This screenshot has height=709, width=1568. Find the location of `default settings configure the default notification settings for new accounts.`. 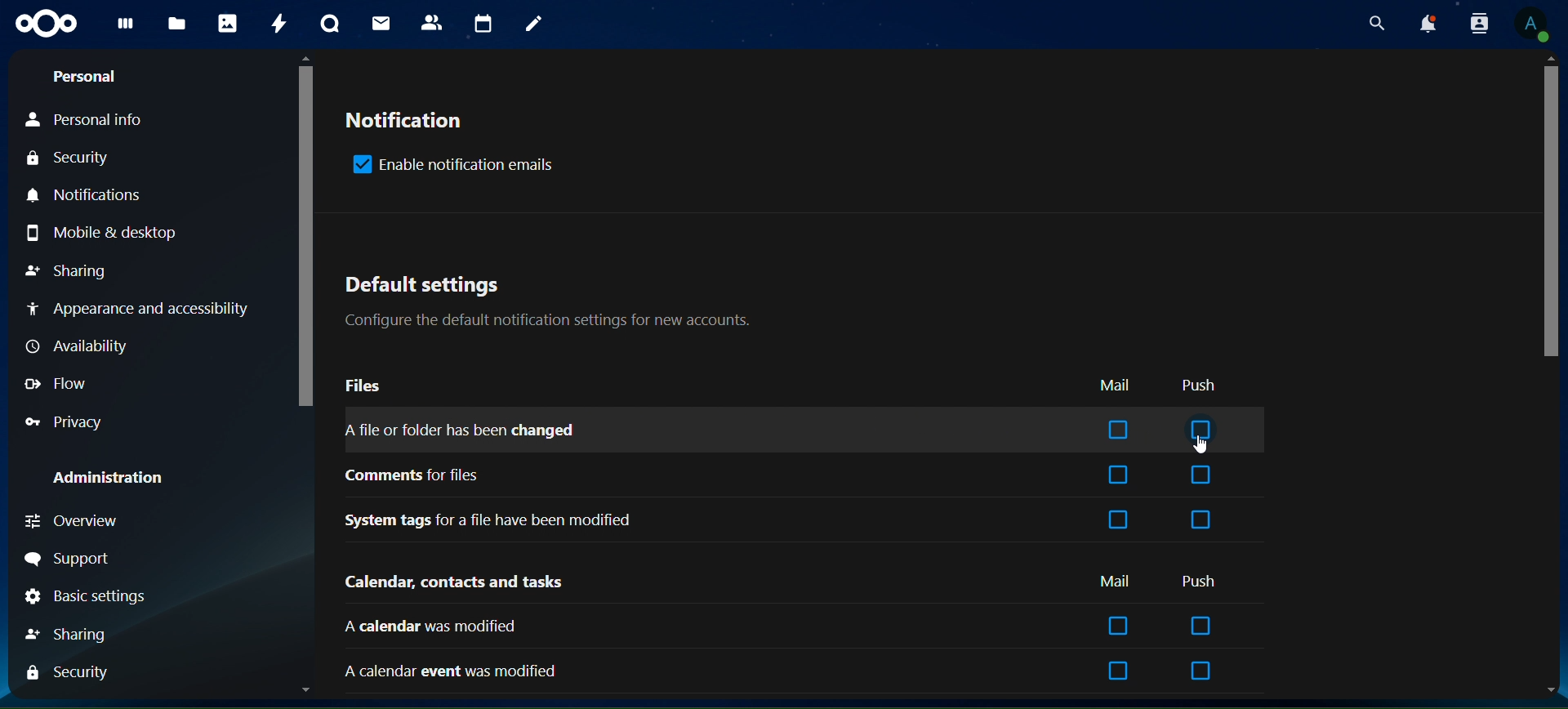

default settings configure the default notification settings for new accounts. is located at coordinates (559, 304).